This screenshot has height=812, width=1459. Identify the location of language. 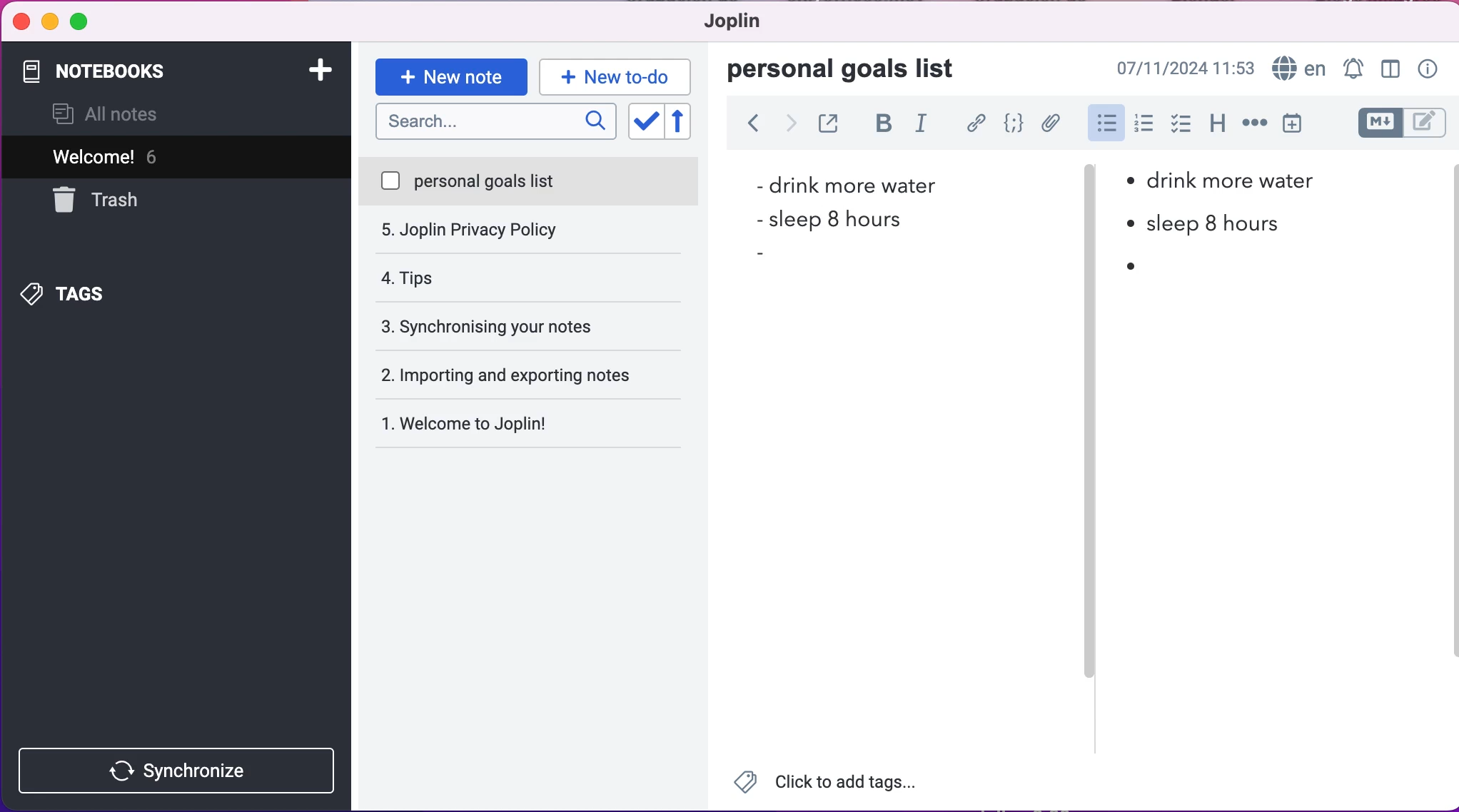
(1298, 66).